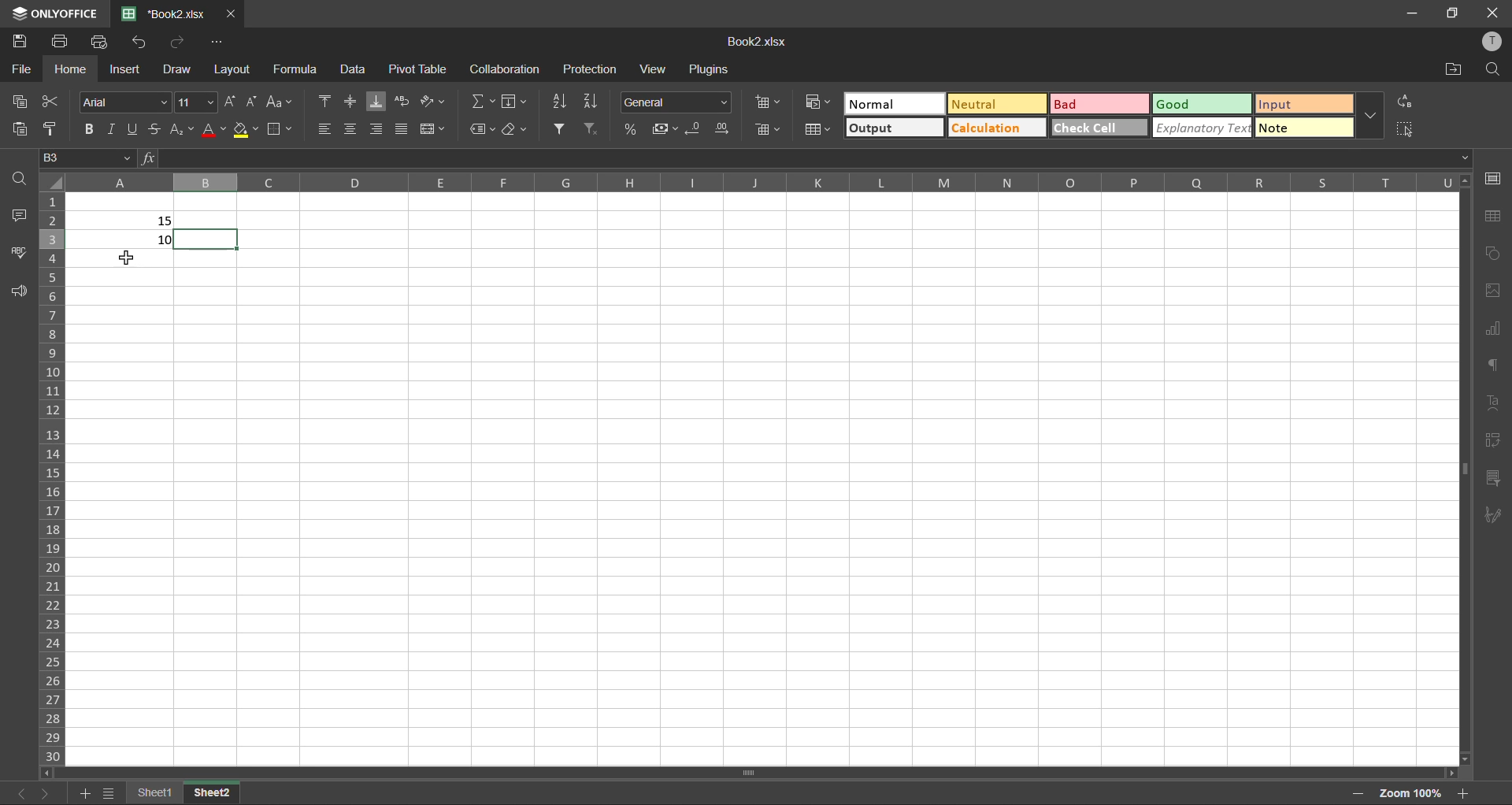  What do you see at coordinates (161, 239) in the screenshot?
I see `10` at bounding box center [161, 239].